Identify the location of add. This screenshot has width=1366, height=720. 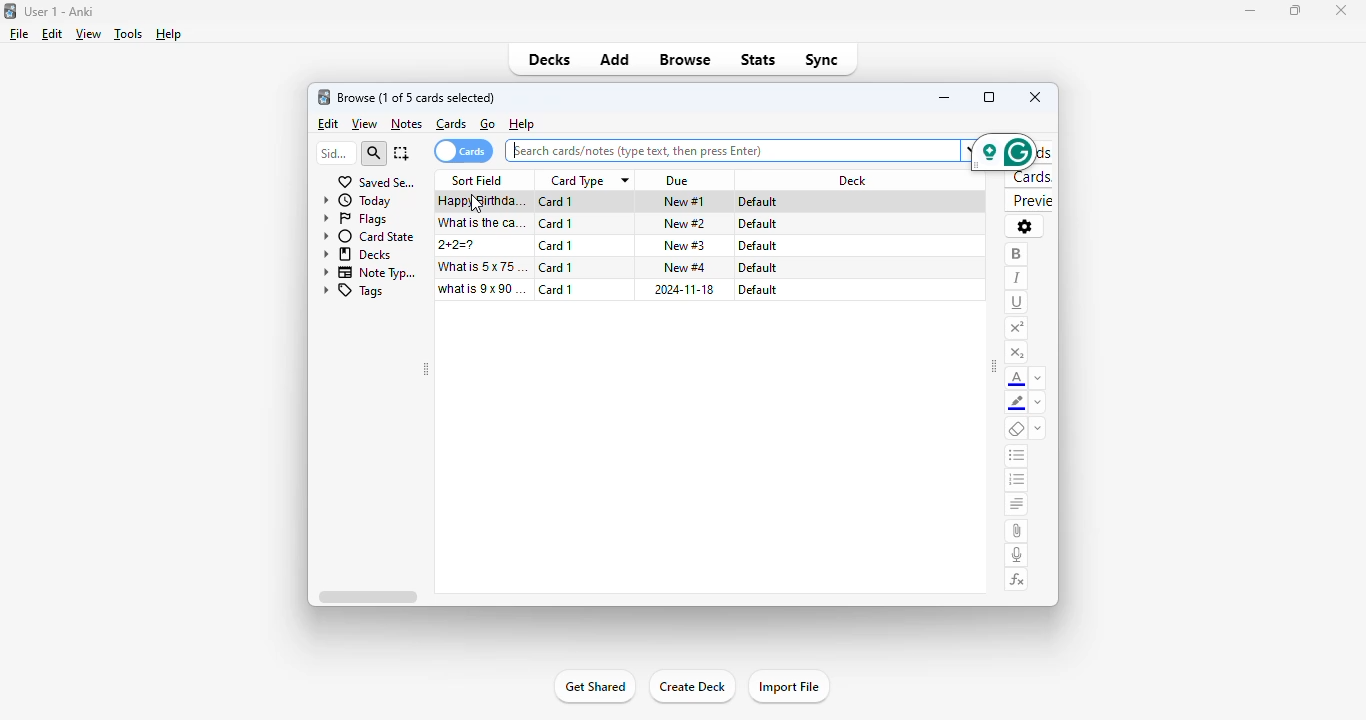
(616, 60).